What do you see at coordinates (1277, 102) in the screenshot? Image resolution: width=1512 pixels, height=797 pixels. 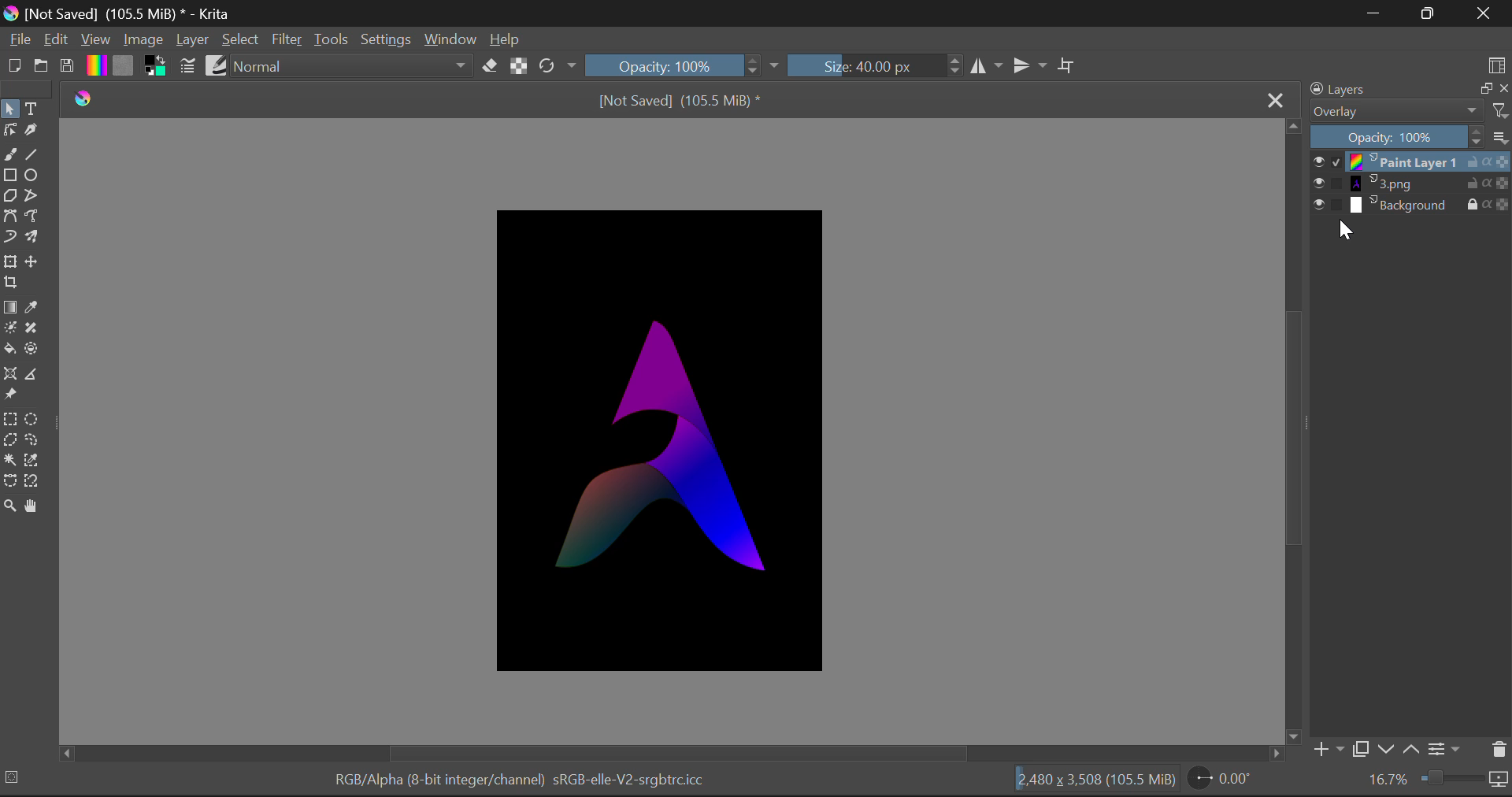 I see `Close` at bounding box center [1277, 102].